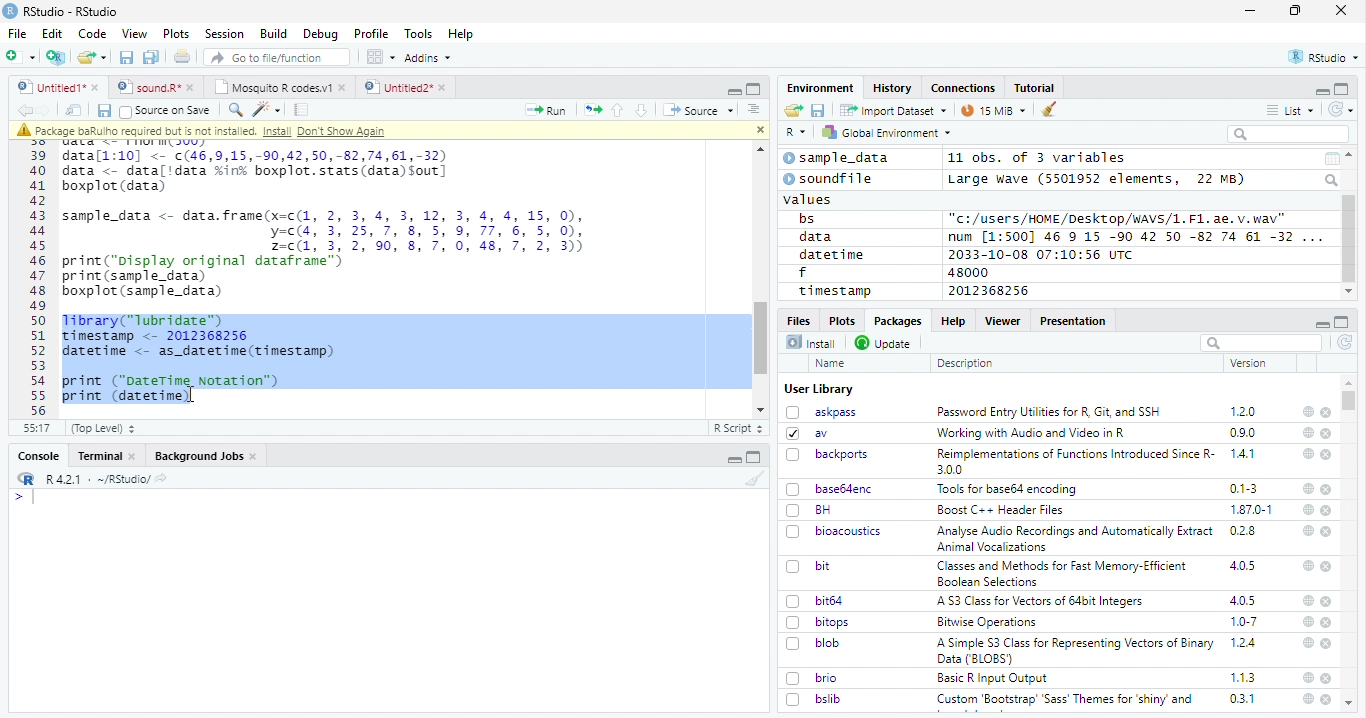 Image resolution: width=1366 pixels, height=718 pixels. What do you see at coordinates (819, 389) in the screenshot?
I see `User Library` at bounding box center [819, 389].